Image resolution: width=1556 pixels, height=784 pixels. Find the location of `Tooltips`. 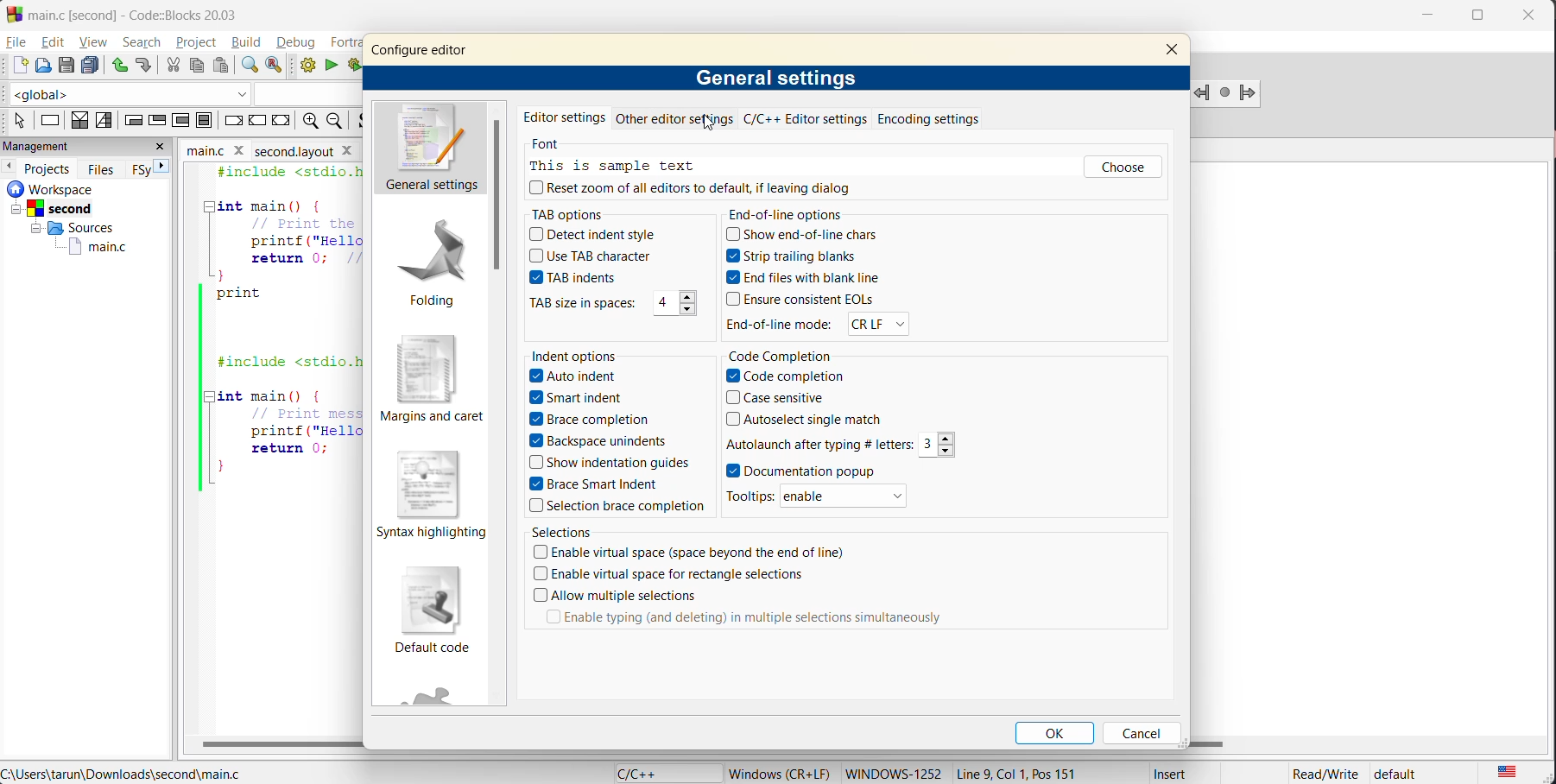

Tooltips is located at coordinates (750, 496).